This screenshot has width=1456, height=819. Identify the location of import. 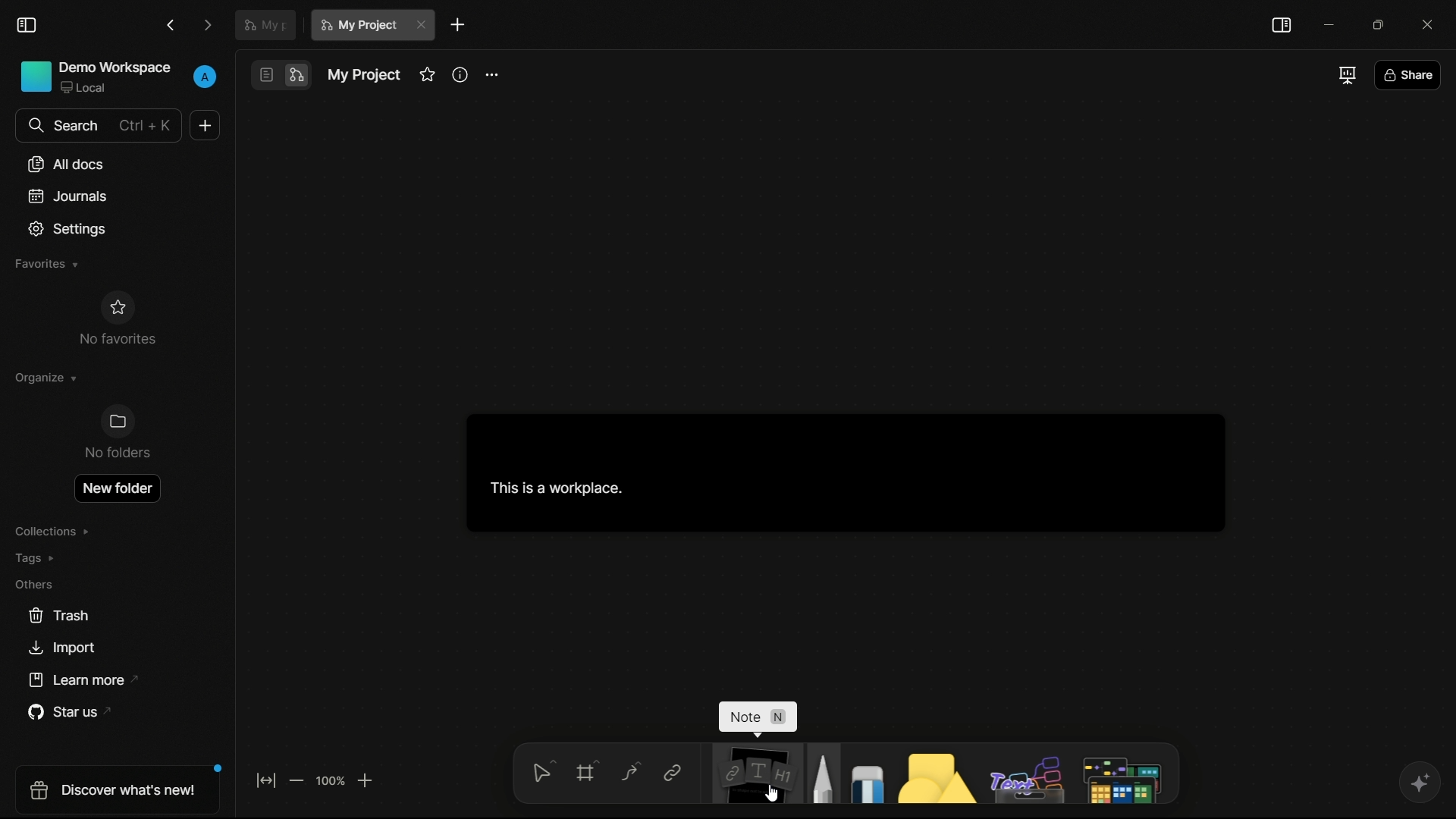
(66, 645).